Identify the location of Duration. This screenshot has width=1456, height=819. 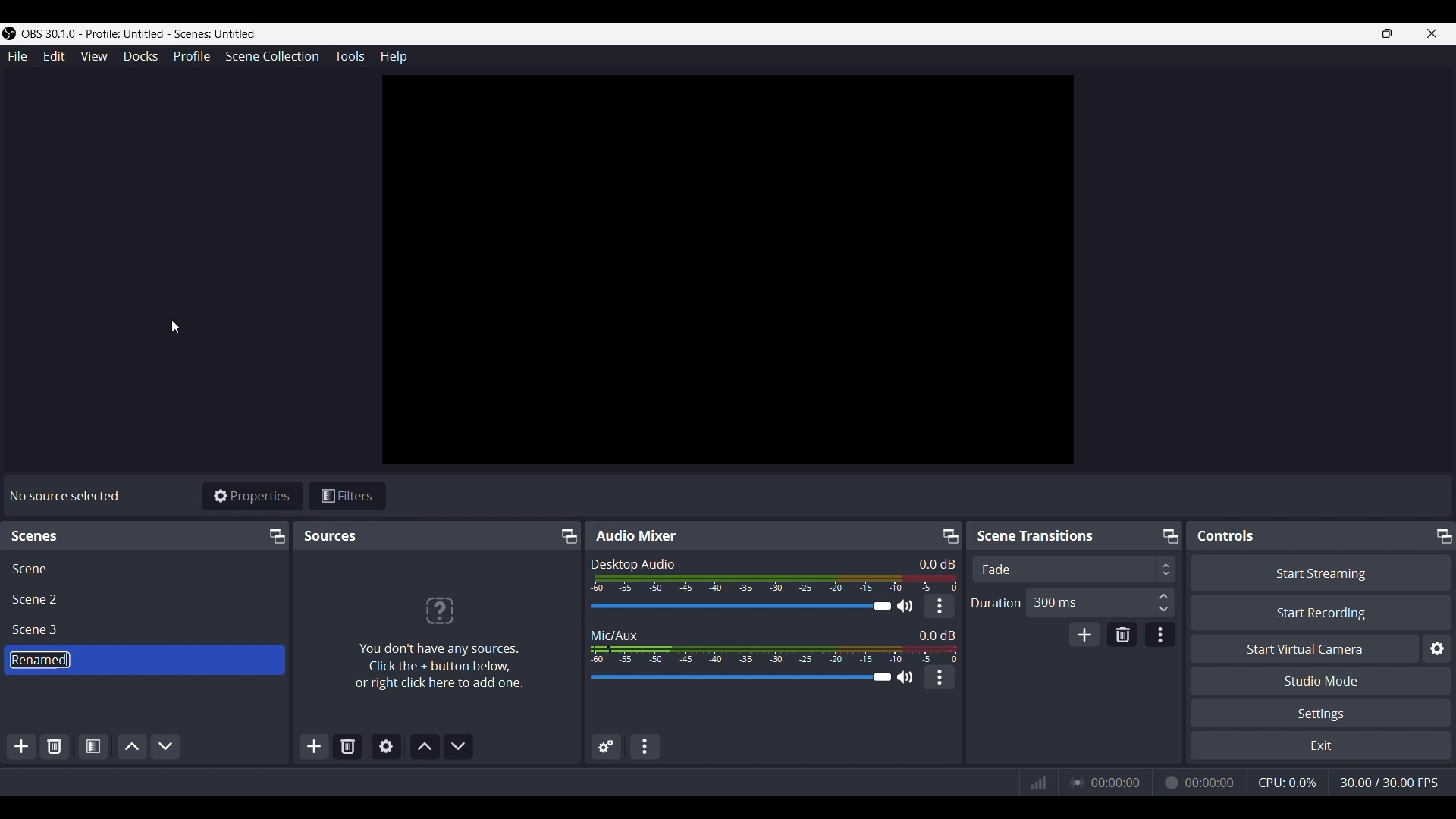
(996, 604).